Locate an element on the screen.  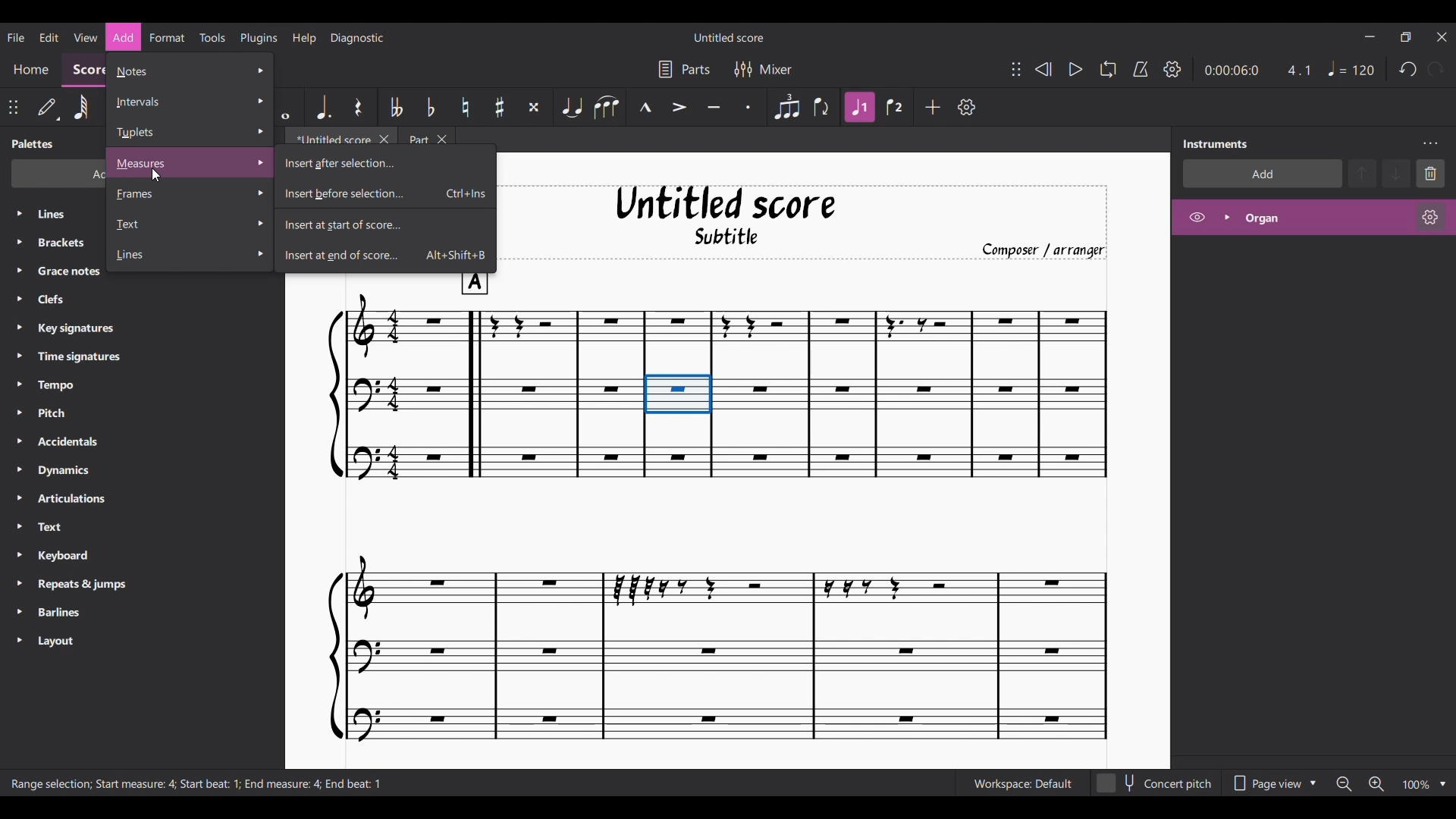
Page view options is located at coordinates (1272, 783).